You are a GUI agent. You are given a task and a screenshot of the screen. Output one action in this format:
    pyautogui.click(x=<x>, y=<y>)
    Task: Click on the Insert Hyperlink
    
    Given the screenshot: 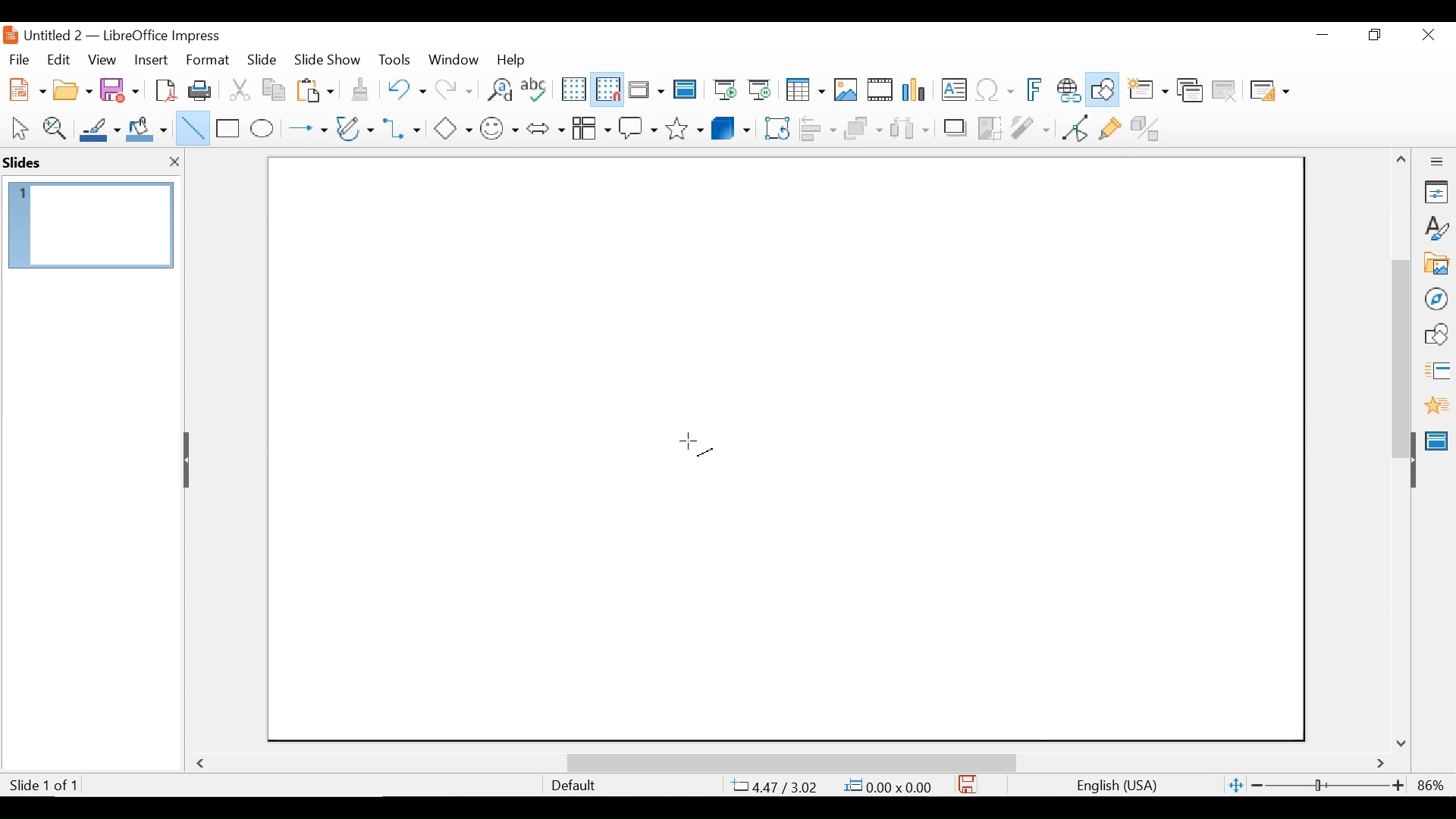 What is the action you would take?
    pyautogui.click(x=1068, y=90)
    